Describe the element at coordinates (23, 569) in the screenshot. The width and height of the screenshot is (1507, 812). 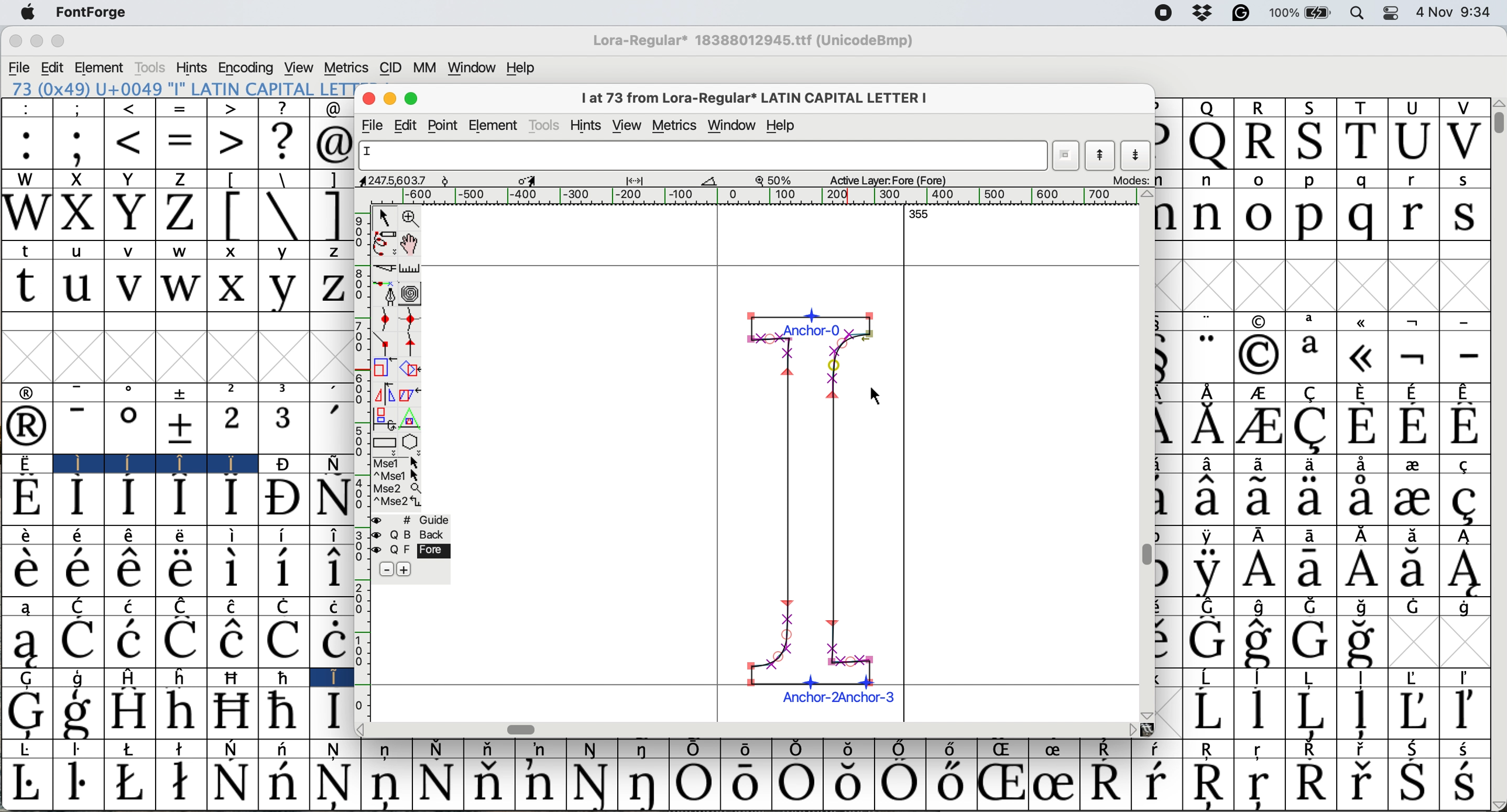
I see `Symbol` at that location.